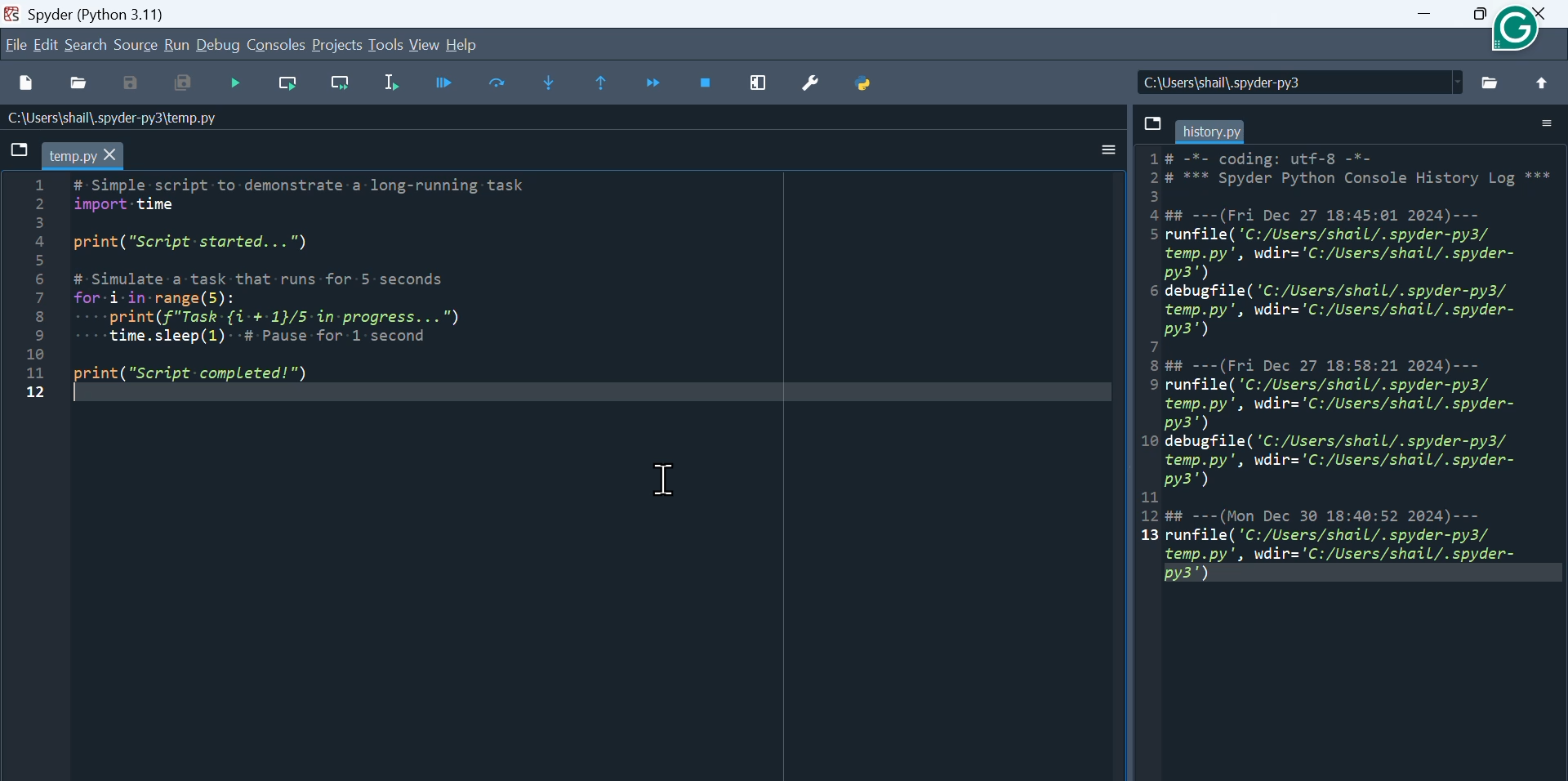 The width and height of the screenshot is (1568, 781). I want to click on Cursor, so click(673, 481).